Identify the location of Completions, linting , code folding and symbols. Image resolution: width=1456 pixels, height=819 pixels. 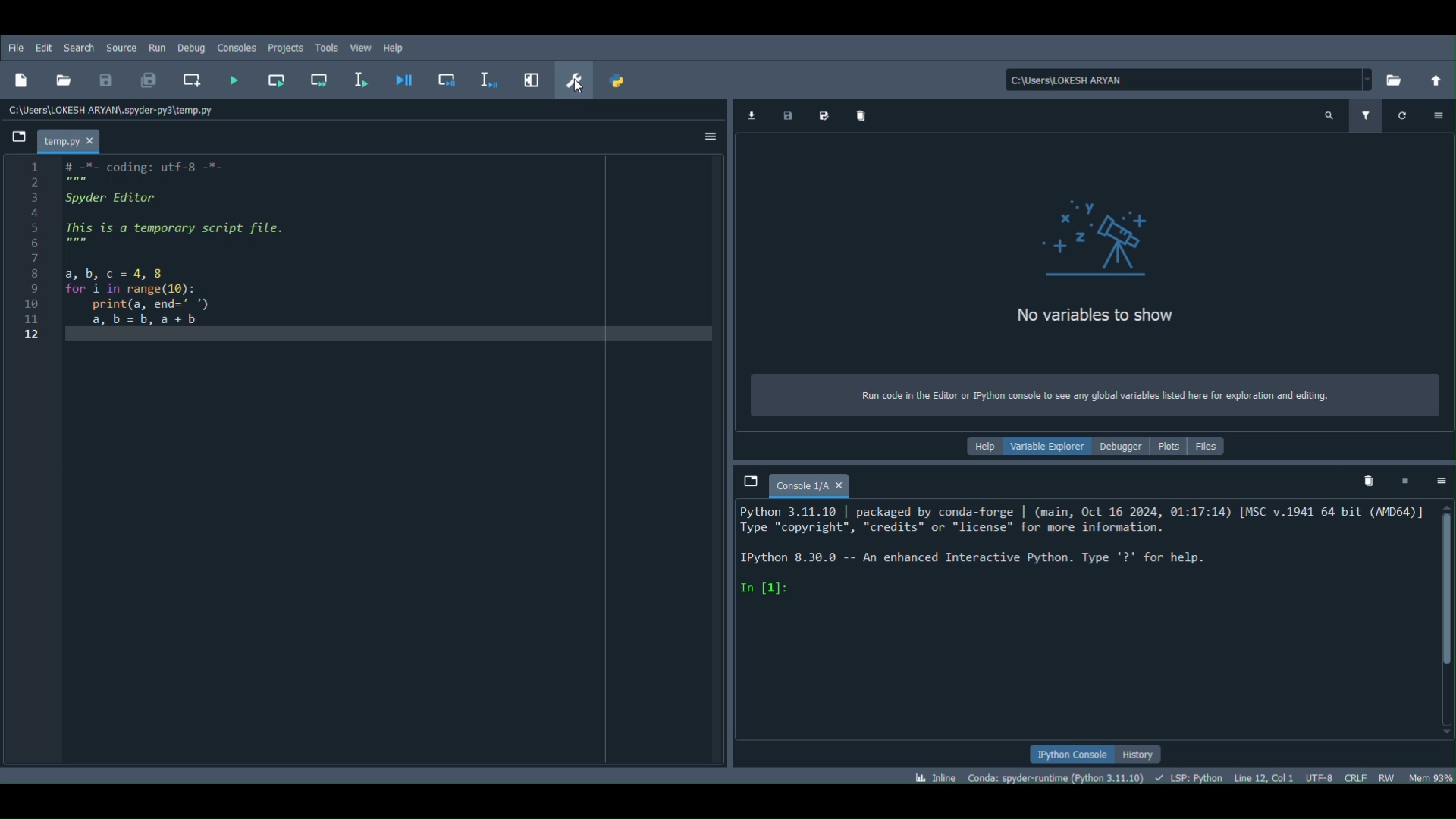
(1192, 777).